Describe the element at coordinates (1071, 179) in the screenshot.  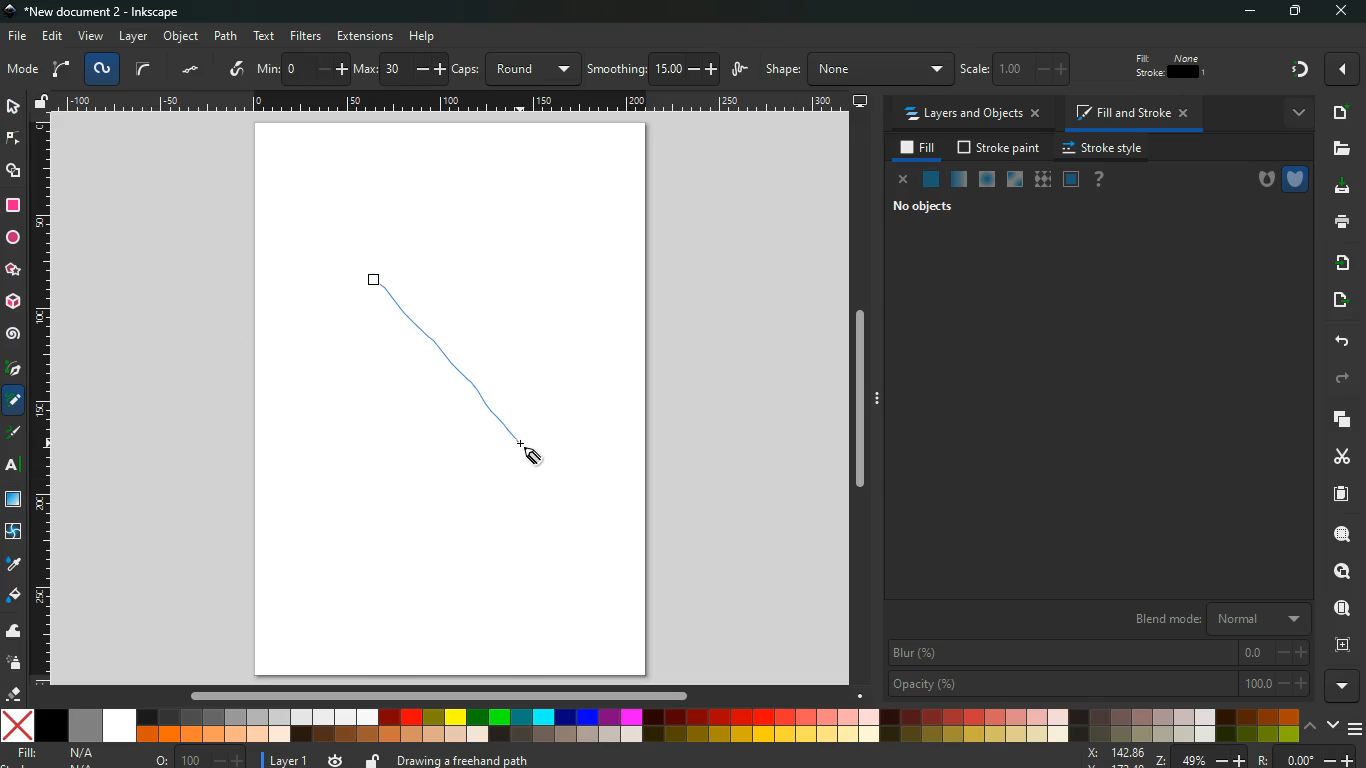
I see `frame` at that location.